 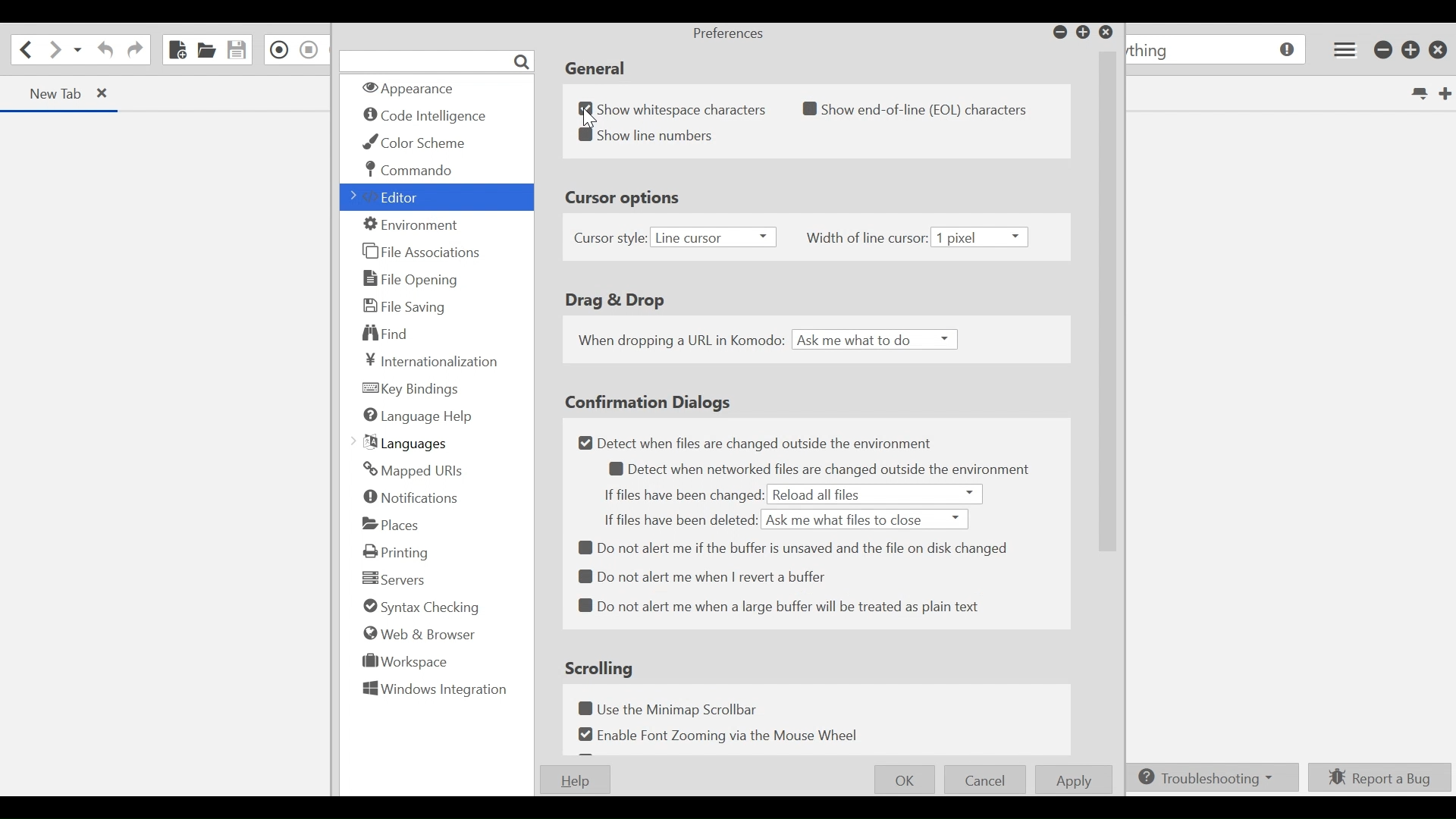 What do you see at coordinates (434, 360) in the screenshot?
I see `Internationalization` at bounding box center [434, 360].